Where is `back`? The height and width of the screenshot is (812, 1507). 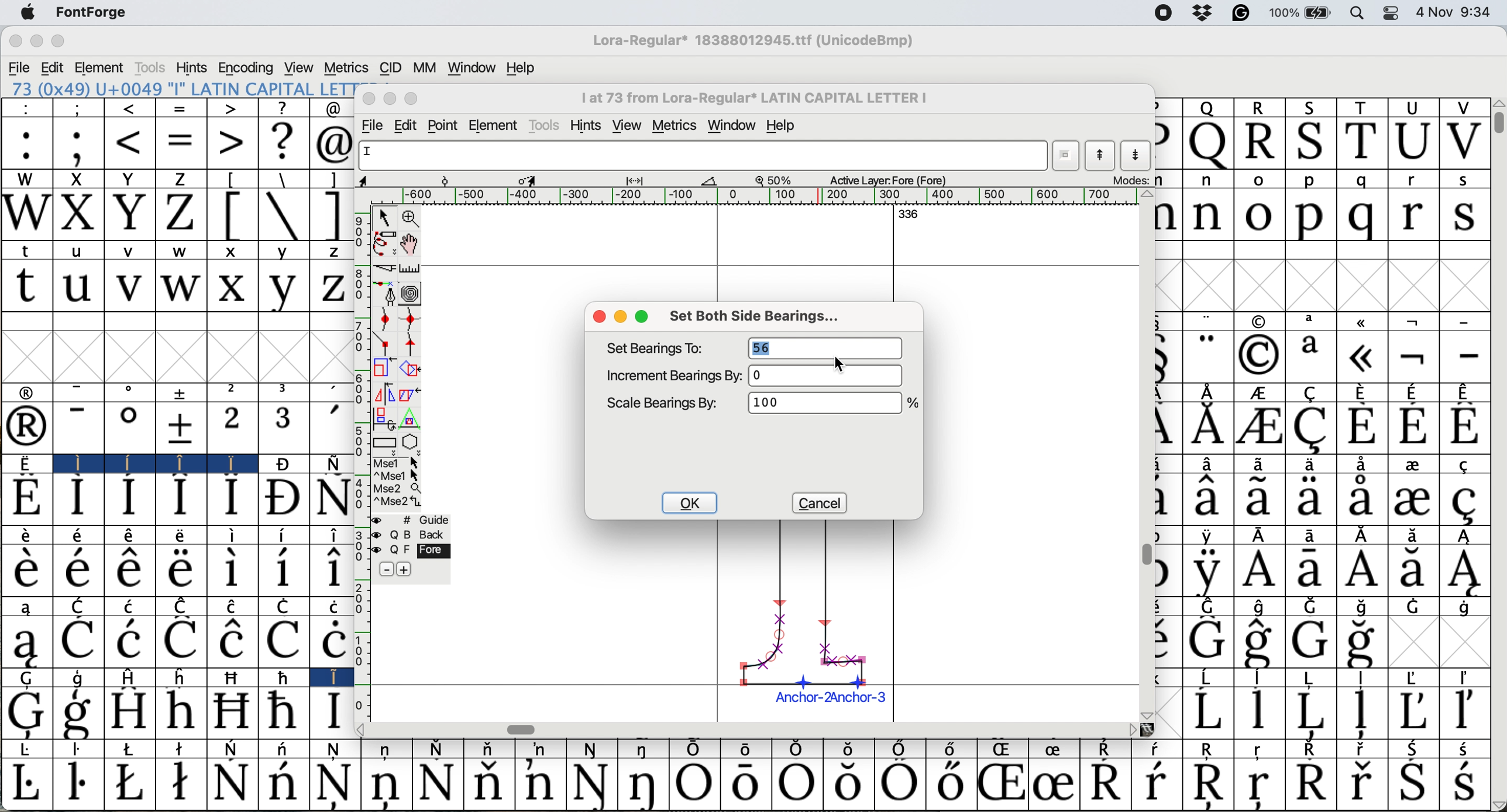 back is located at coordinates (420, 534).